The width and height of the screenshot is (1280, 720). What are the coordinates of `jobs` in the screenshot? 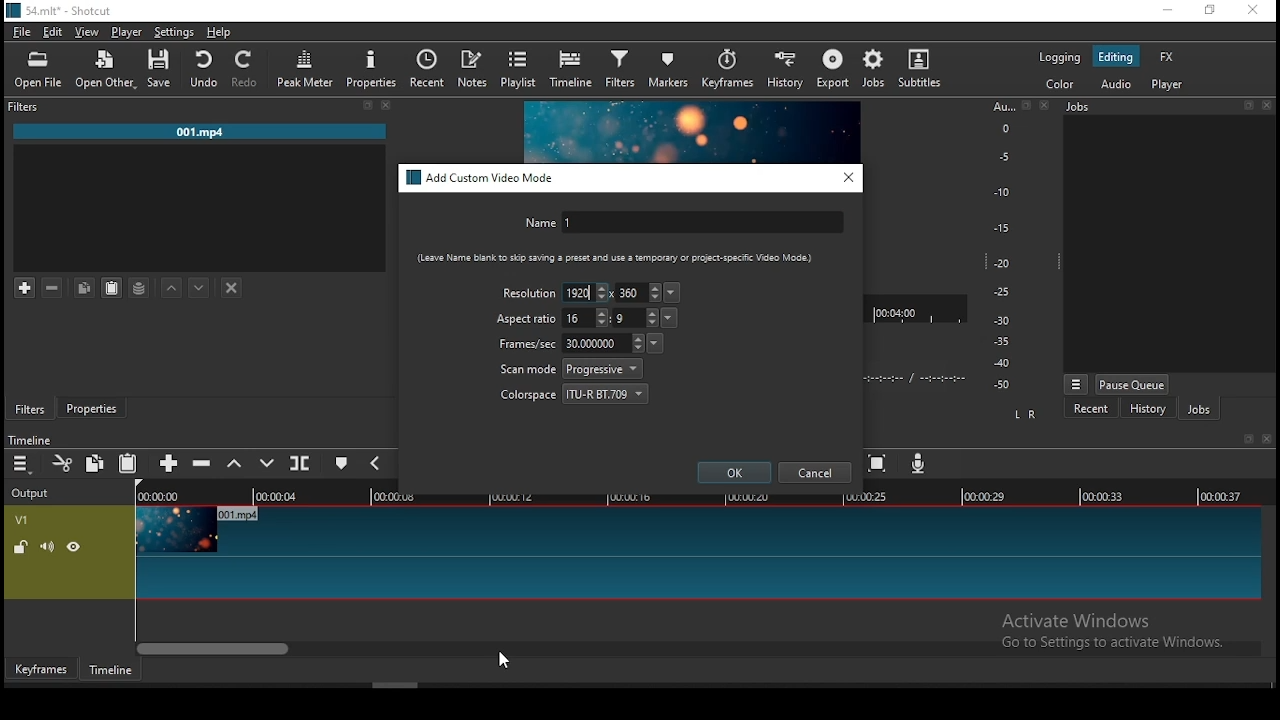 It's located at (1199, 410).